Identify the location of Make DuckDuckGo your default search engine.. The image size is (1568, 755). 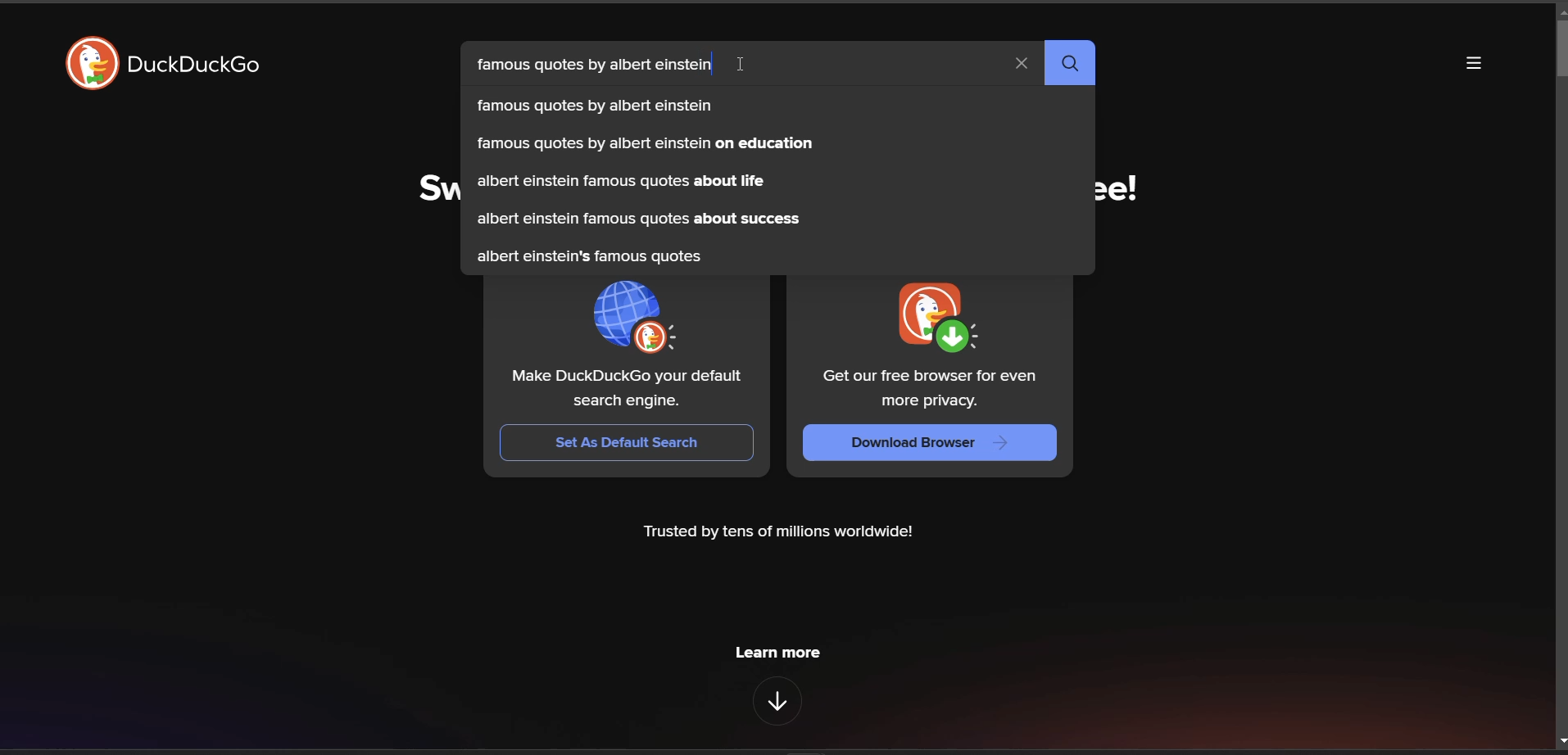
(628, 391).